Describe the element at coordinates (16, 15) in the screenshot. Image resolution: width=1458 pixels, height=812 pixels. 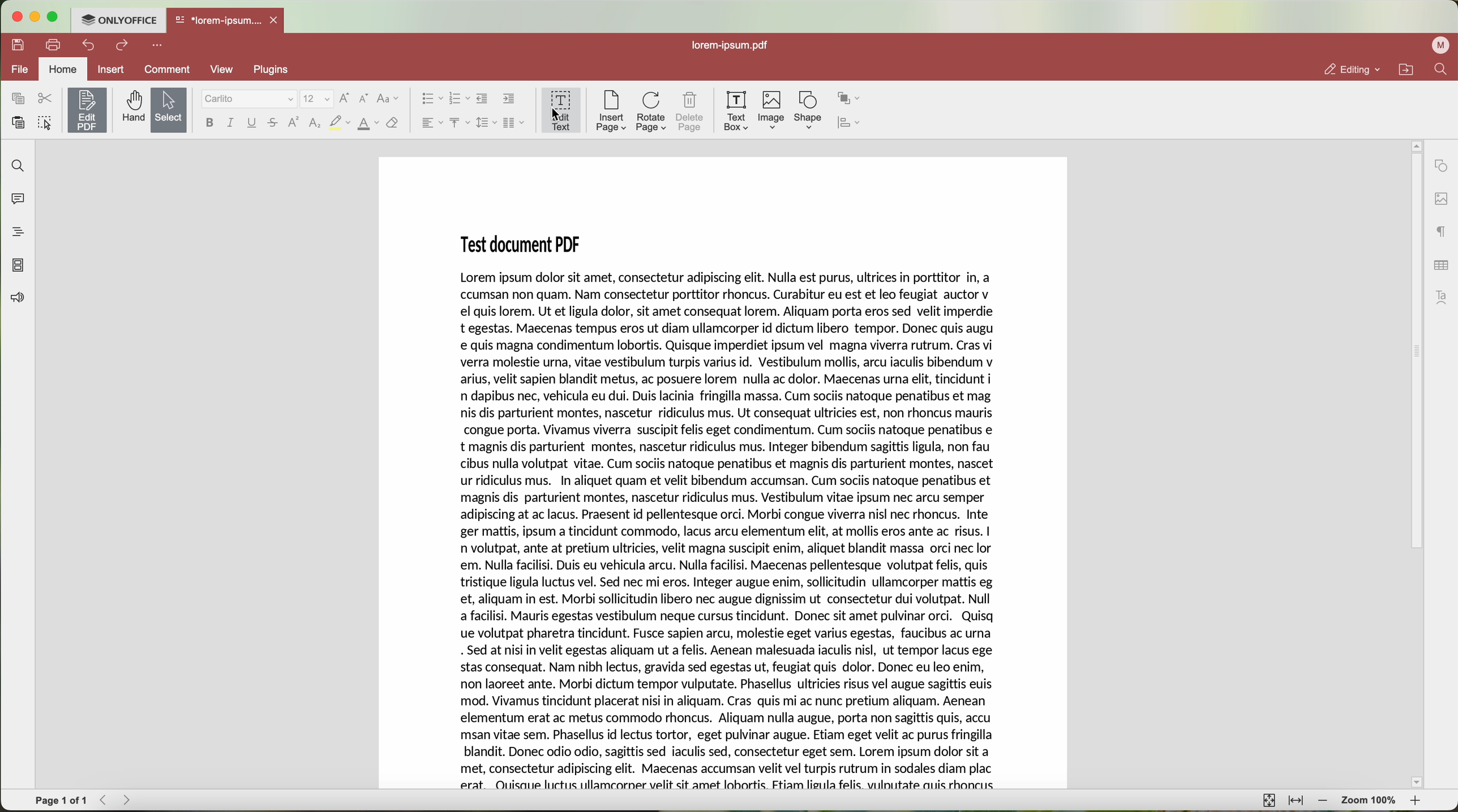
I see `close program` at that location.